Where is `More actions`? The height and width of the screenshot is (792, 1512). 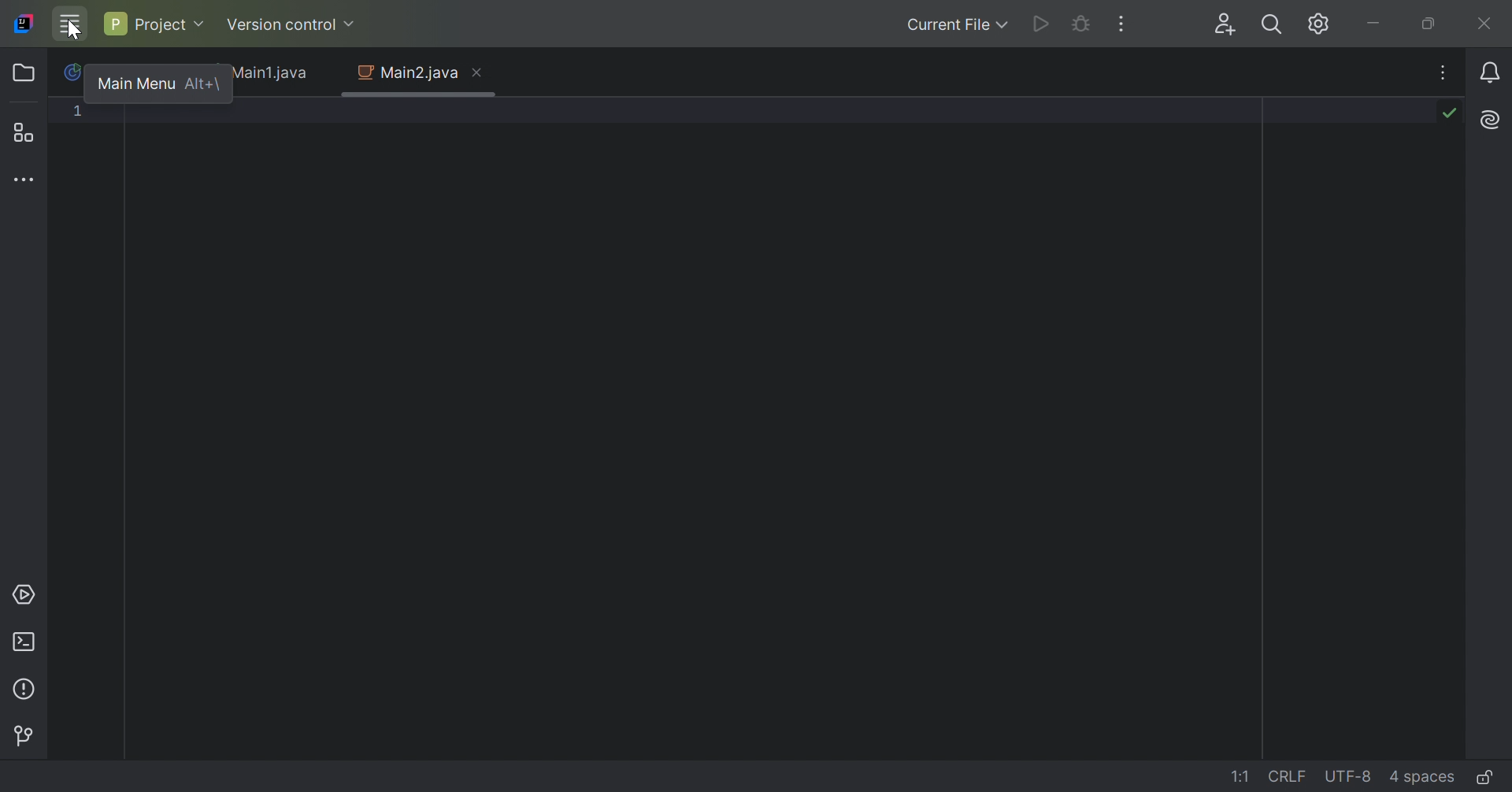 More actions is located at coordinates (1122, 24).